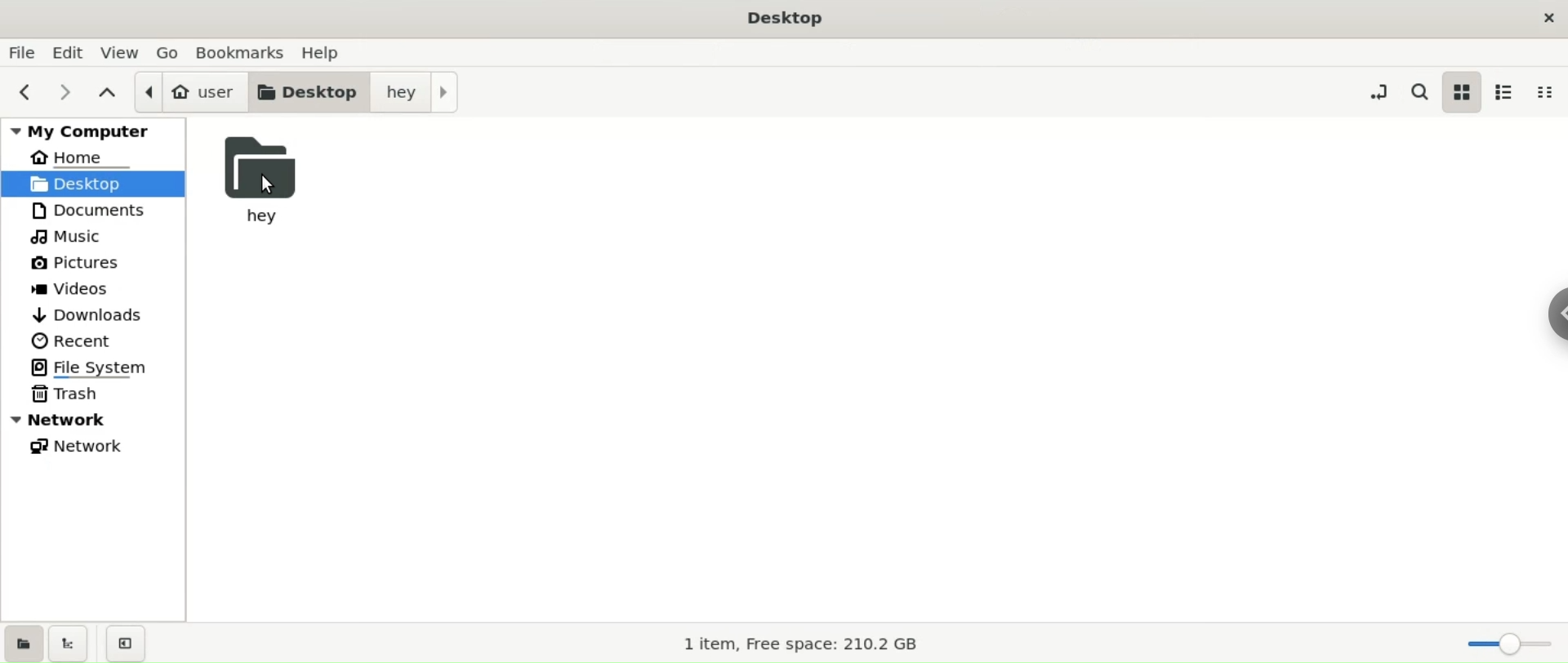  What do you see at coordinates (93, 366) in the screenshot?
I see `file system` at bounding box center [93, 366].